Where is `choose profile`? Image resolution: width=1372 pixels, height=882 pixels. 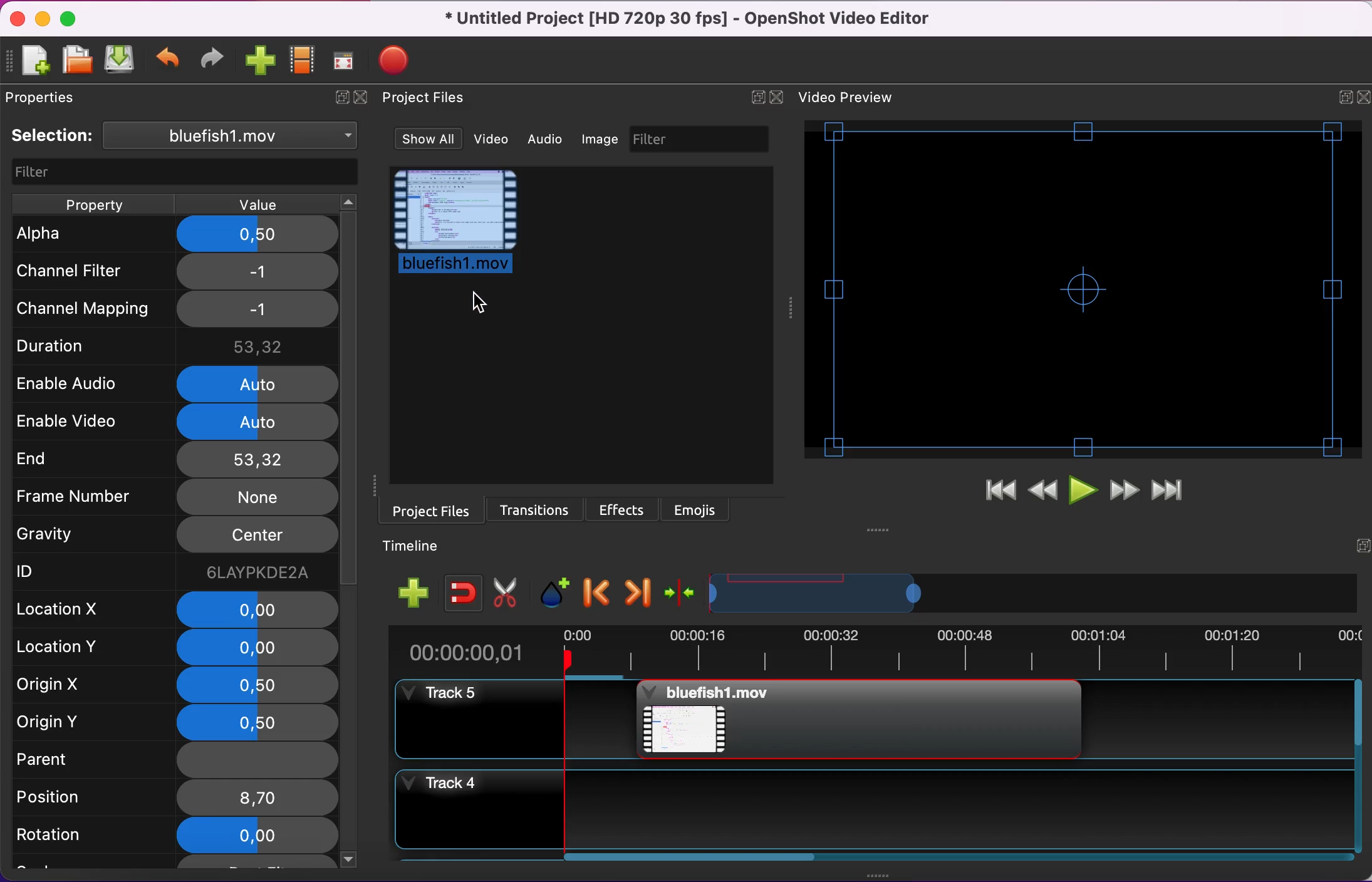 choose profile is located at coordinates (305, 60).